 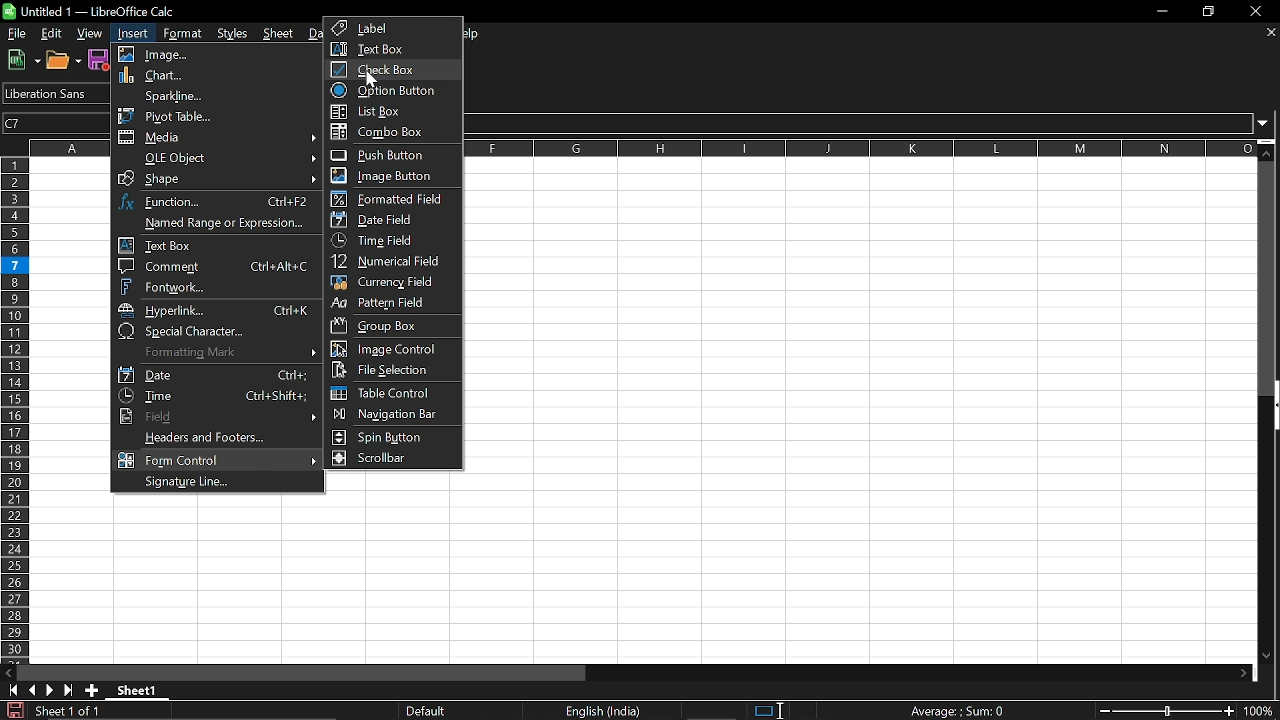 I want to click on Numerical field, so click(x=392, y=263).